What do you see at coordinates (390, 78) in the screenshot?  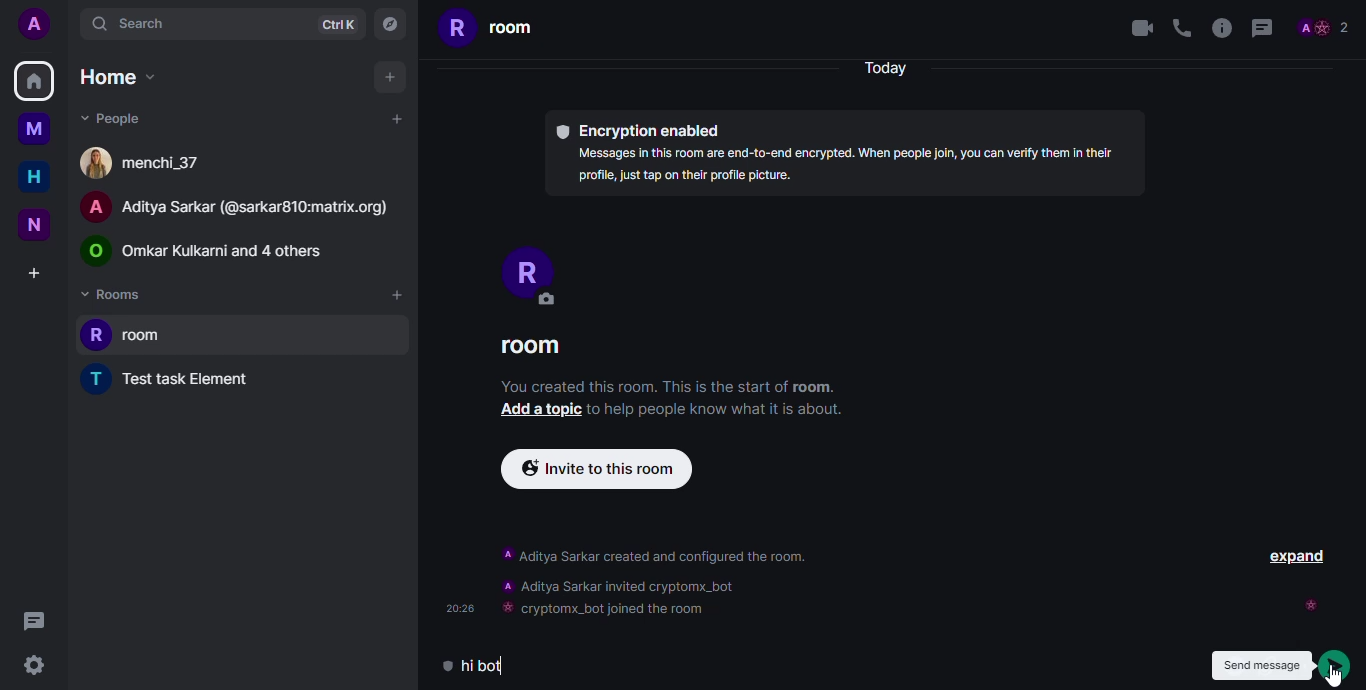 I see `add` at bounding box center [390, 78].